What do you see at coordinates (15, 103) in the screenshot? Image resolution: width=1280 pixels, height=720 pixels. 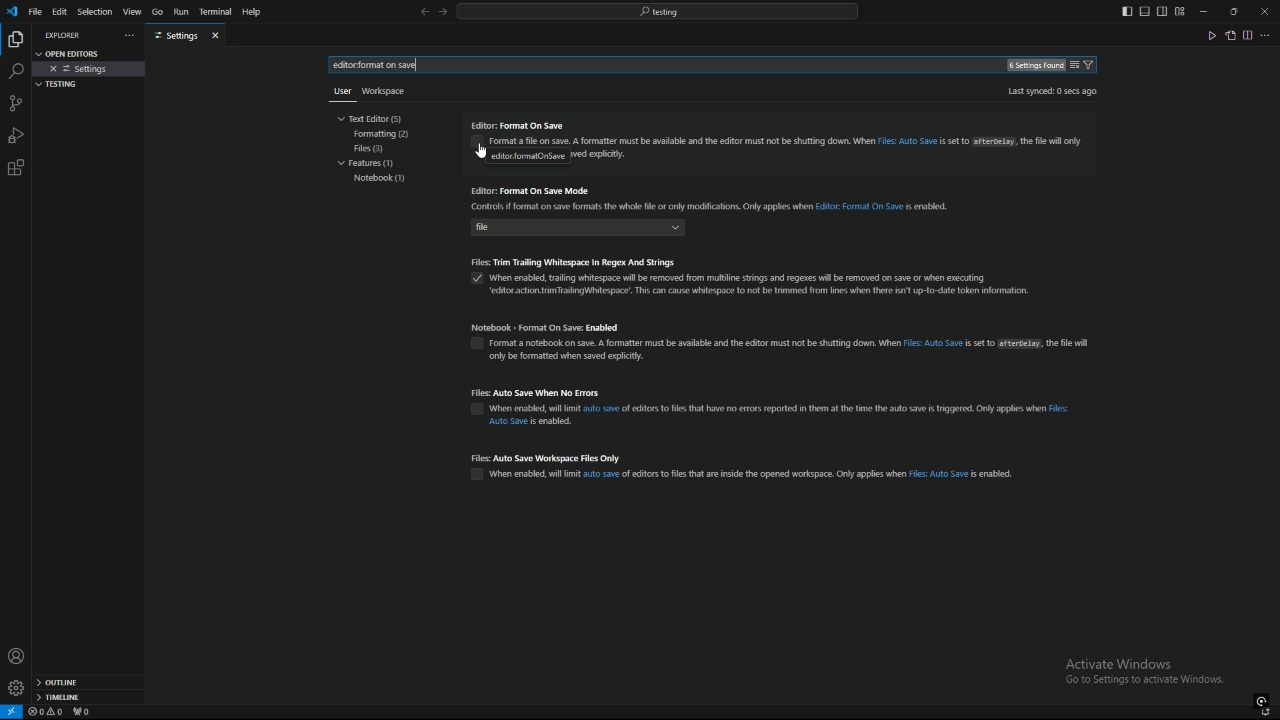 I see `source control` at bounding box center [15, 103].